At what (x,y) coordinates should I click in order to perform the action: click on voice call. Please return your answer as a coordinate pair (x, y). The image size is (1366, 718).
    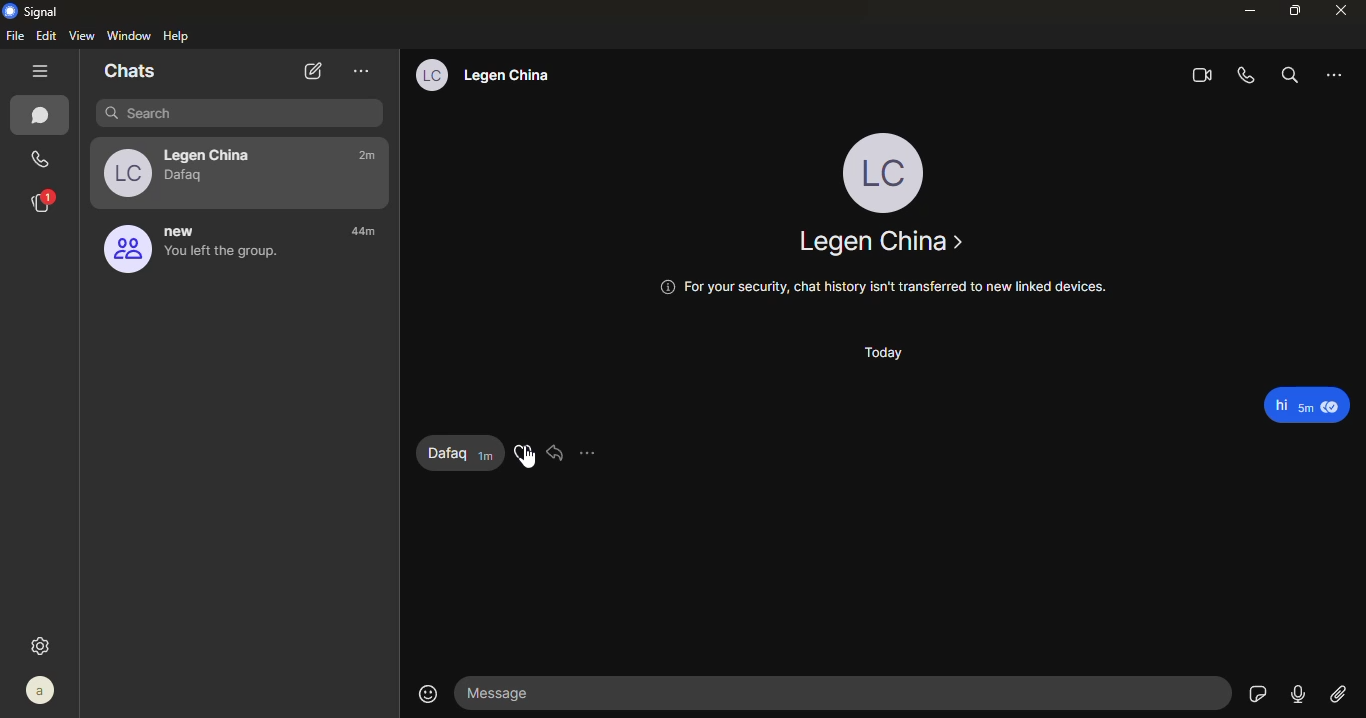
    Looking at the image, I should click on (1247, 76).